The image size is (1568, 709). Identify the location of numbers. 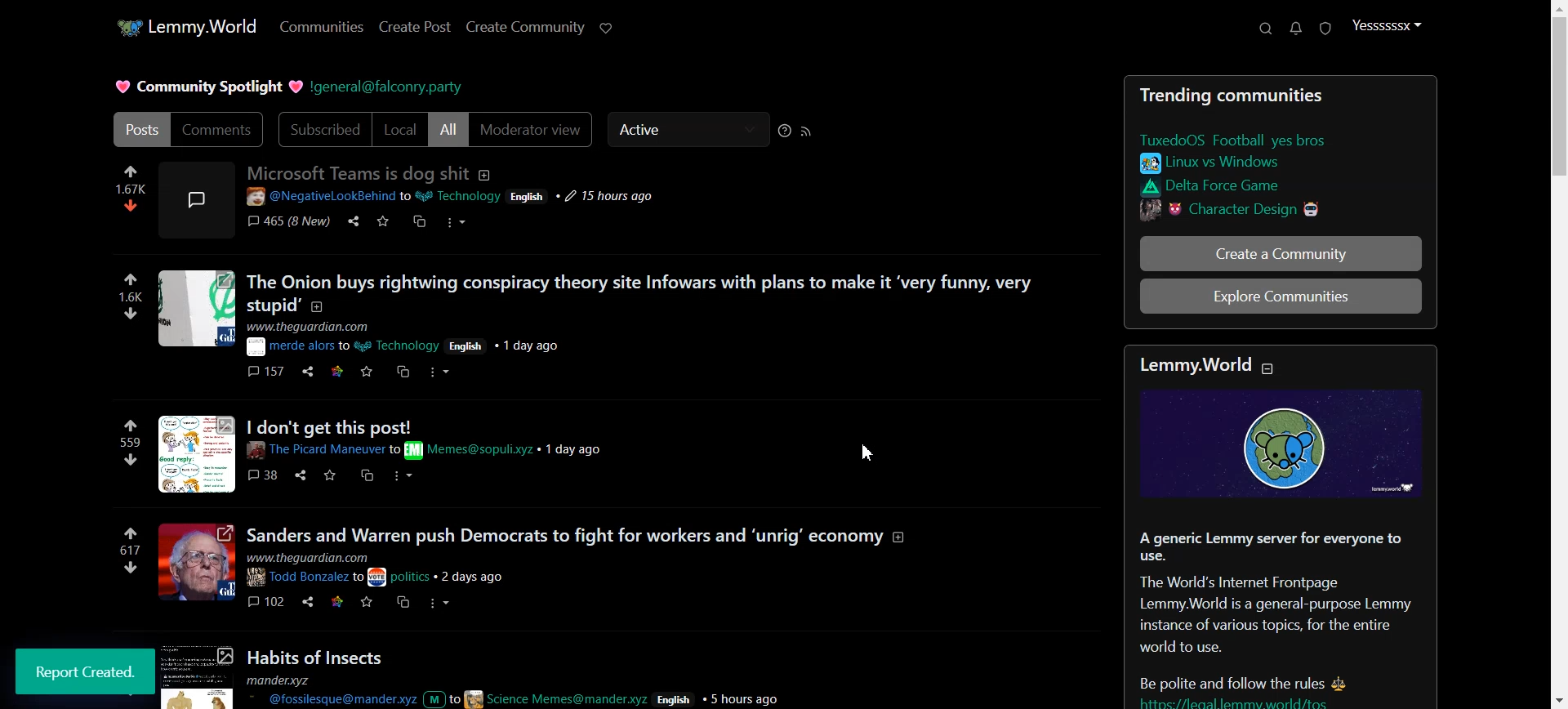
(131, 187).